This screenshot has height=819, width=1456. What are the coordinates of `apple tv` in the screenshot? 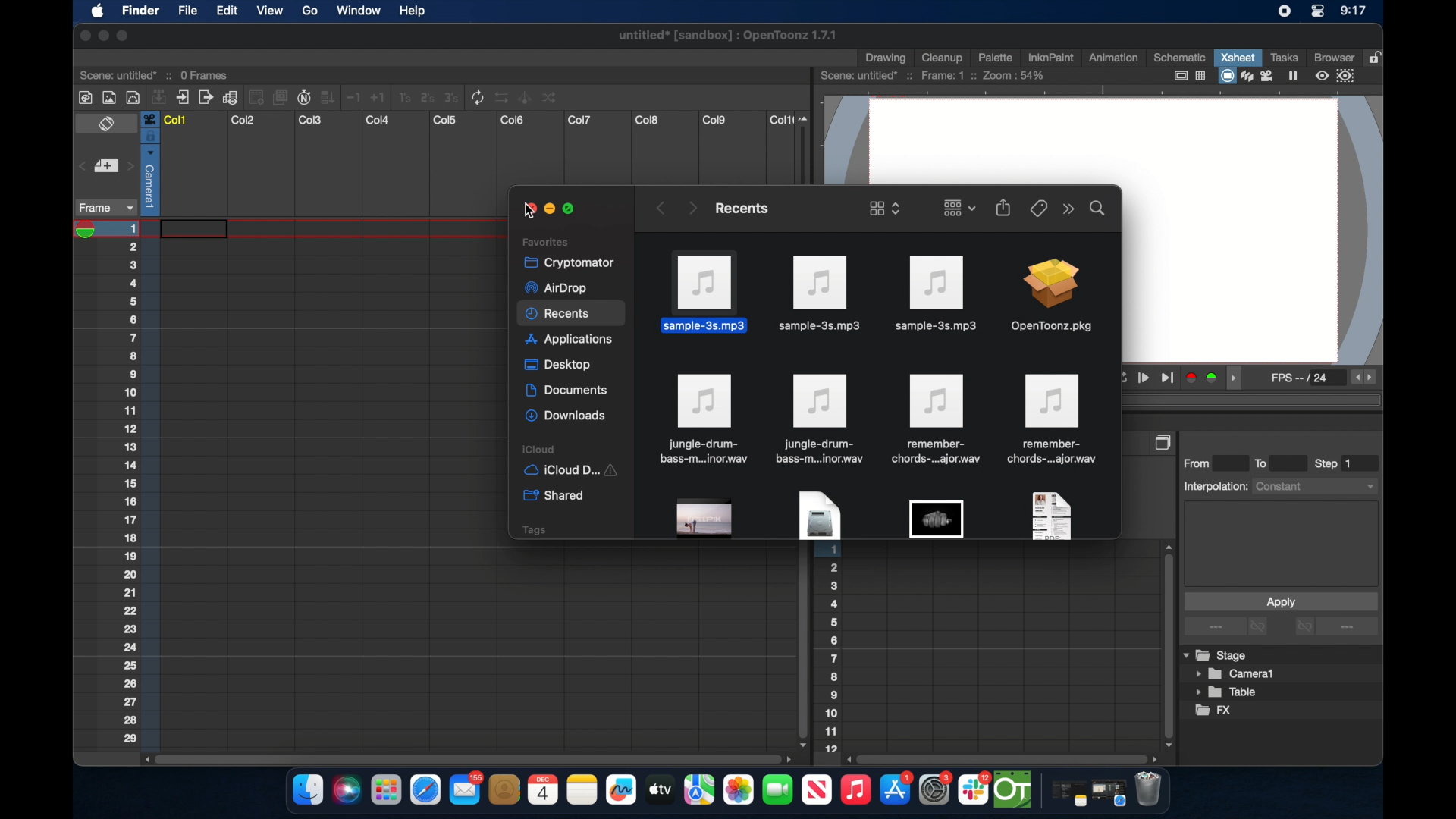 It's located at (659, 789).